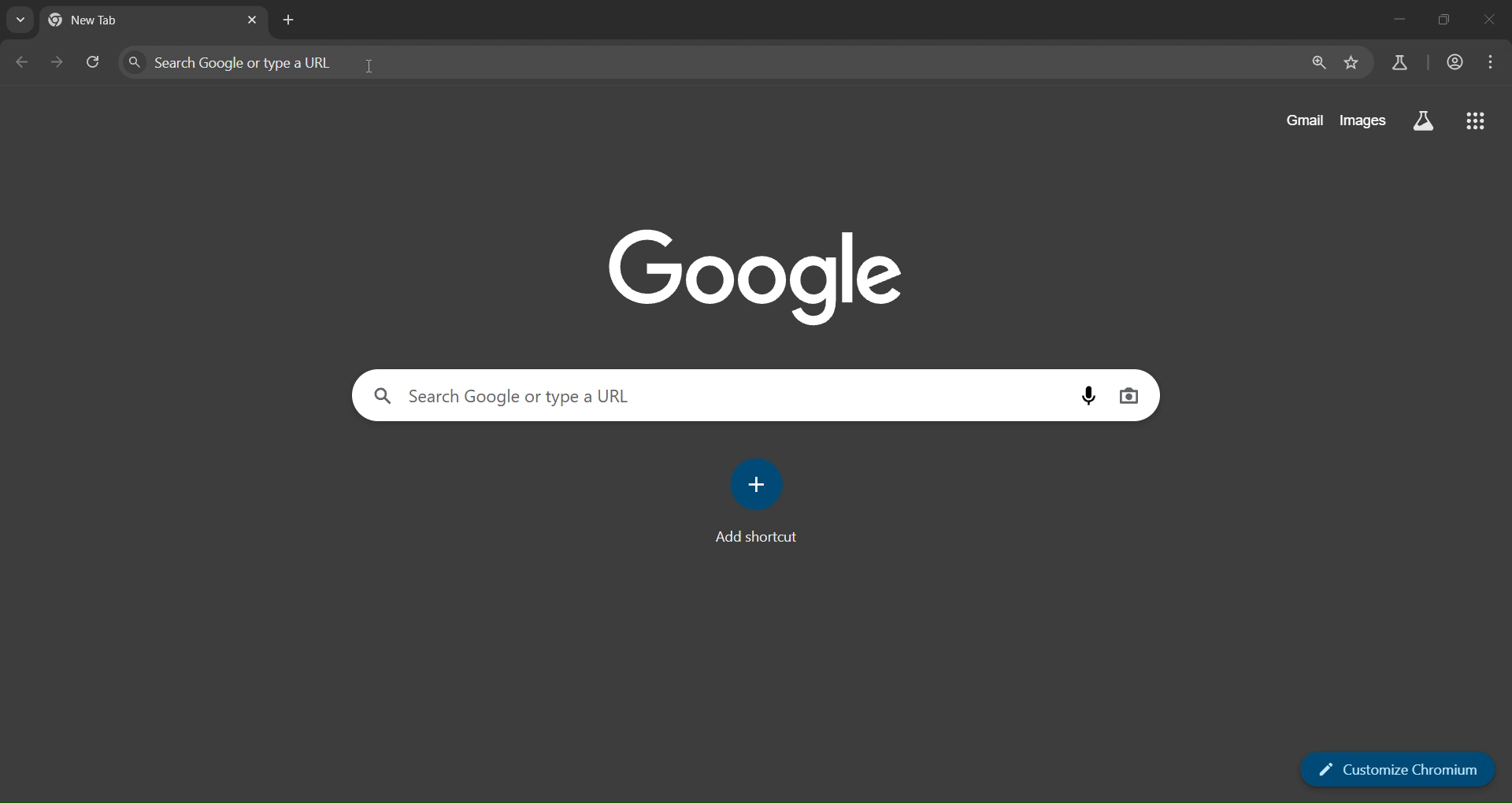 The height and width of the screenshot is (803, 1512). I want to click on reload page, so click(95, 62).